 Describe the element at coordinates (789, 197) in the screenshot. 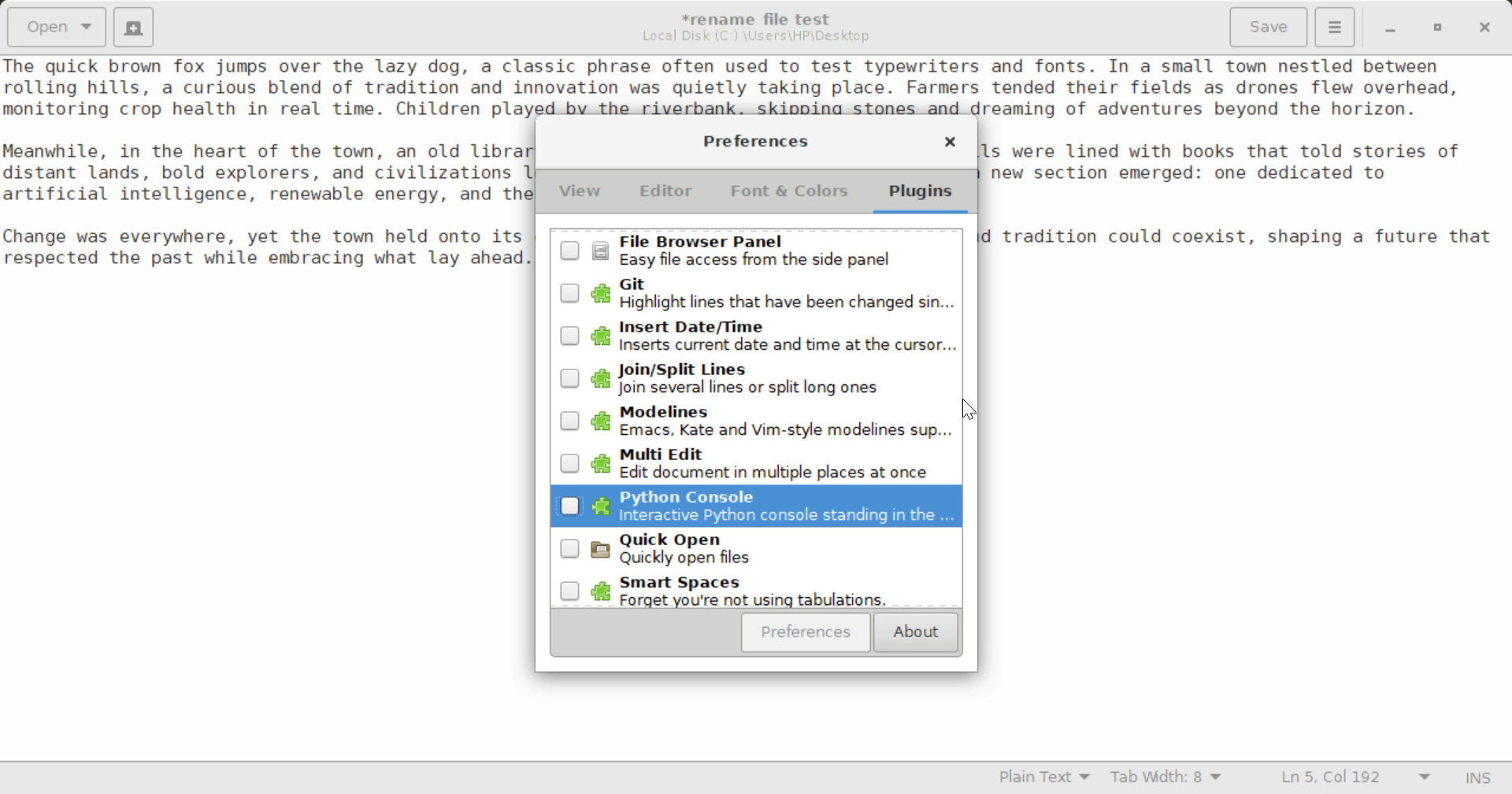

I see `Font & Colors Tab` at that location.